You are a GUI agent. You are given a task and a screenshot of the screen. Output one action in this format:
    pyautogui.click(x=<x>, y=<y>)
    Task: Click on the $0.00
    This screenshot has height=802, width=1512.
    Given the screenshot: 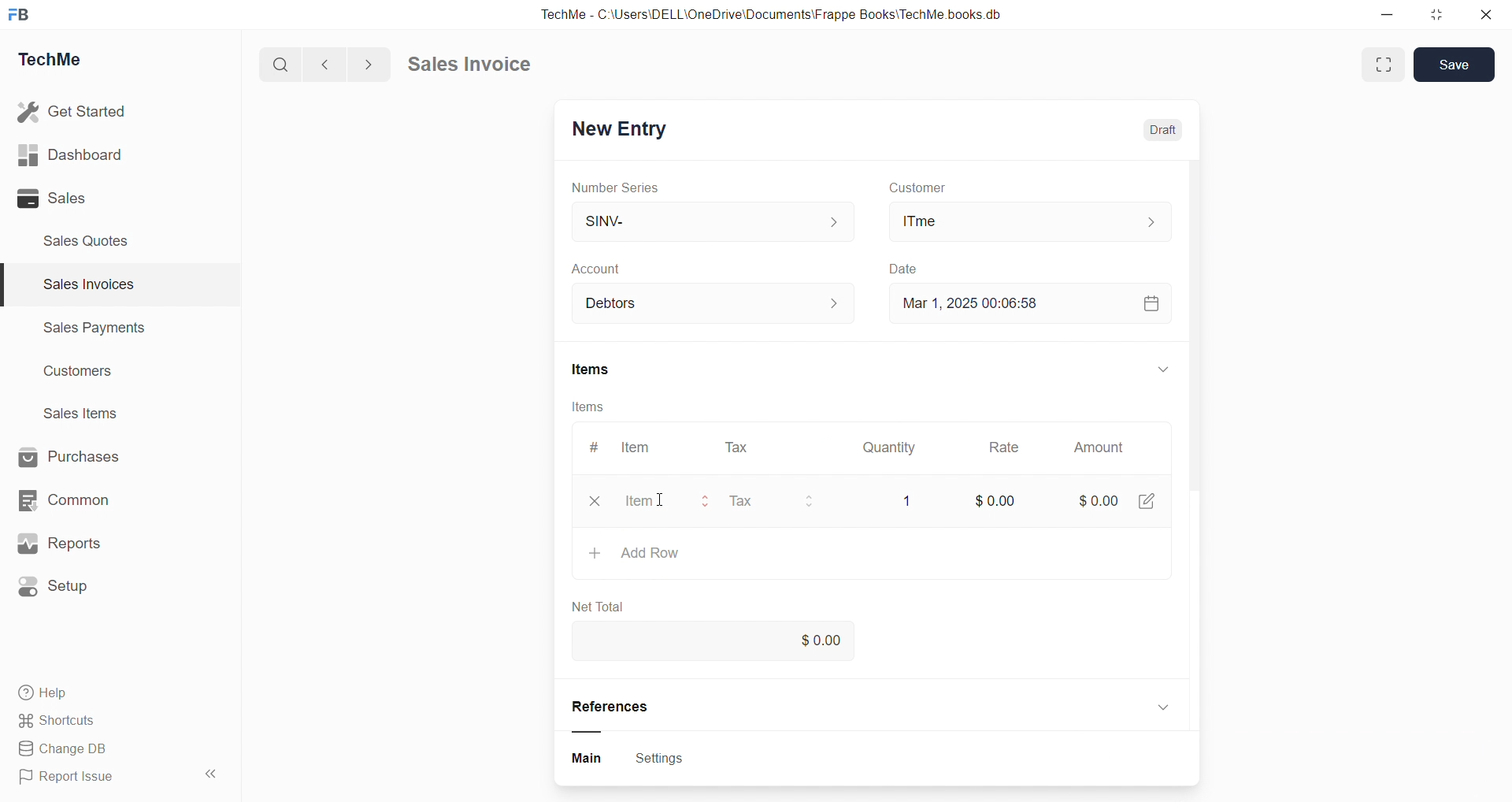 What is the action you would take?
    pyautogui.click(x=993, y=500)
    